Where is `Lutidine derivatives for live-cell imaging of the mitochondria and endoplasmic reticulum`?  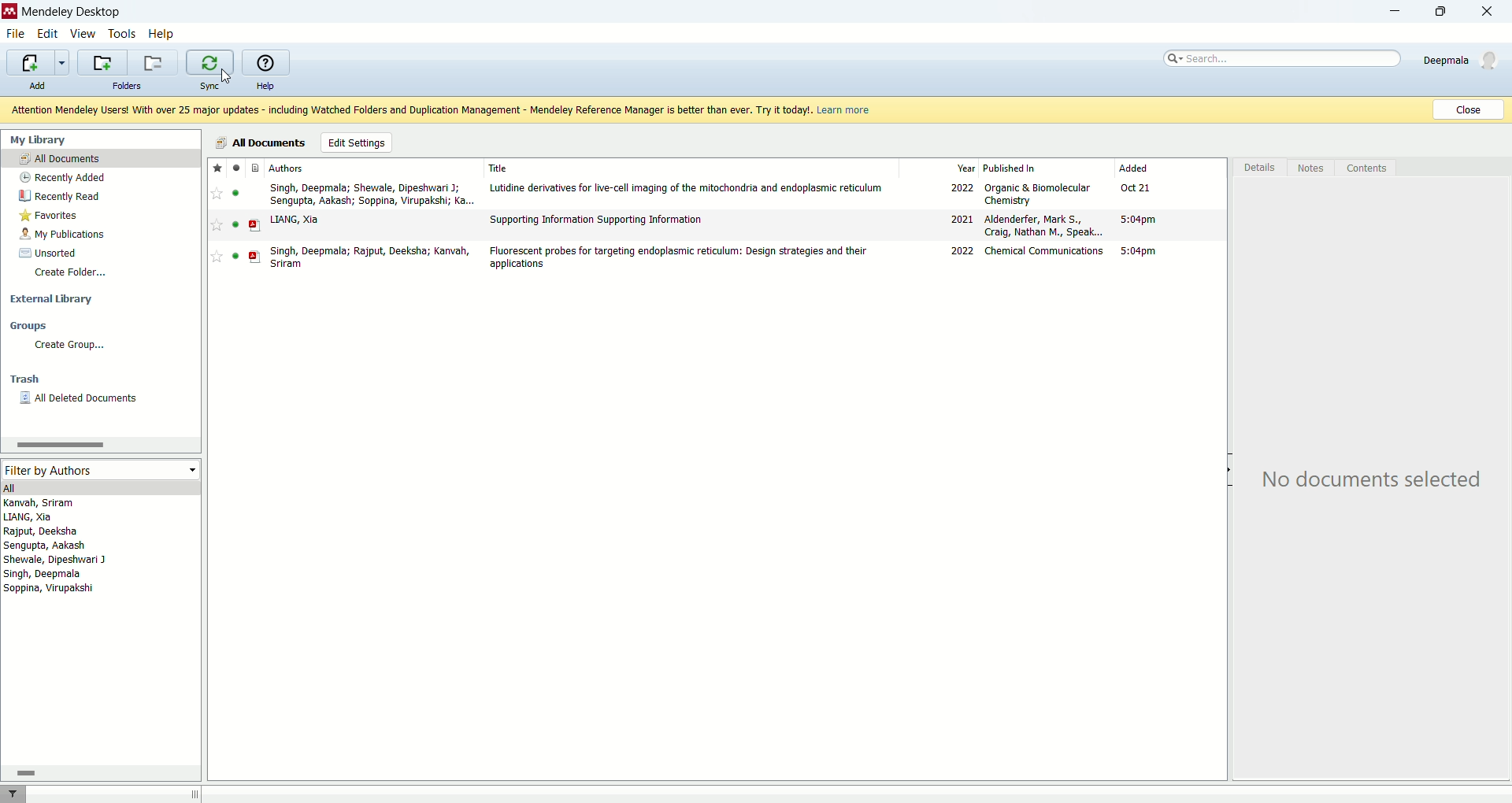
Lutidine derivatives for live-cell imaging of the mitochondria and endoplasmic reticulum is located at coordinates (690, 190).